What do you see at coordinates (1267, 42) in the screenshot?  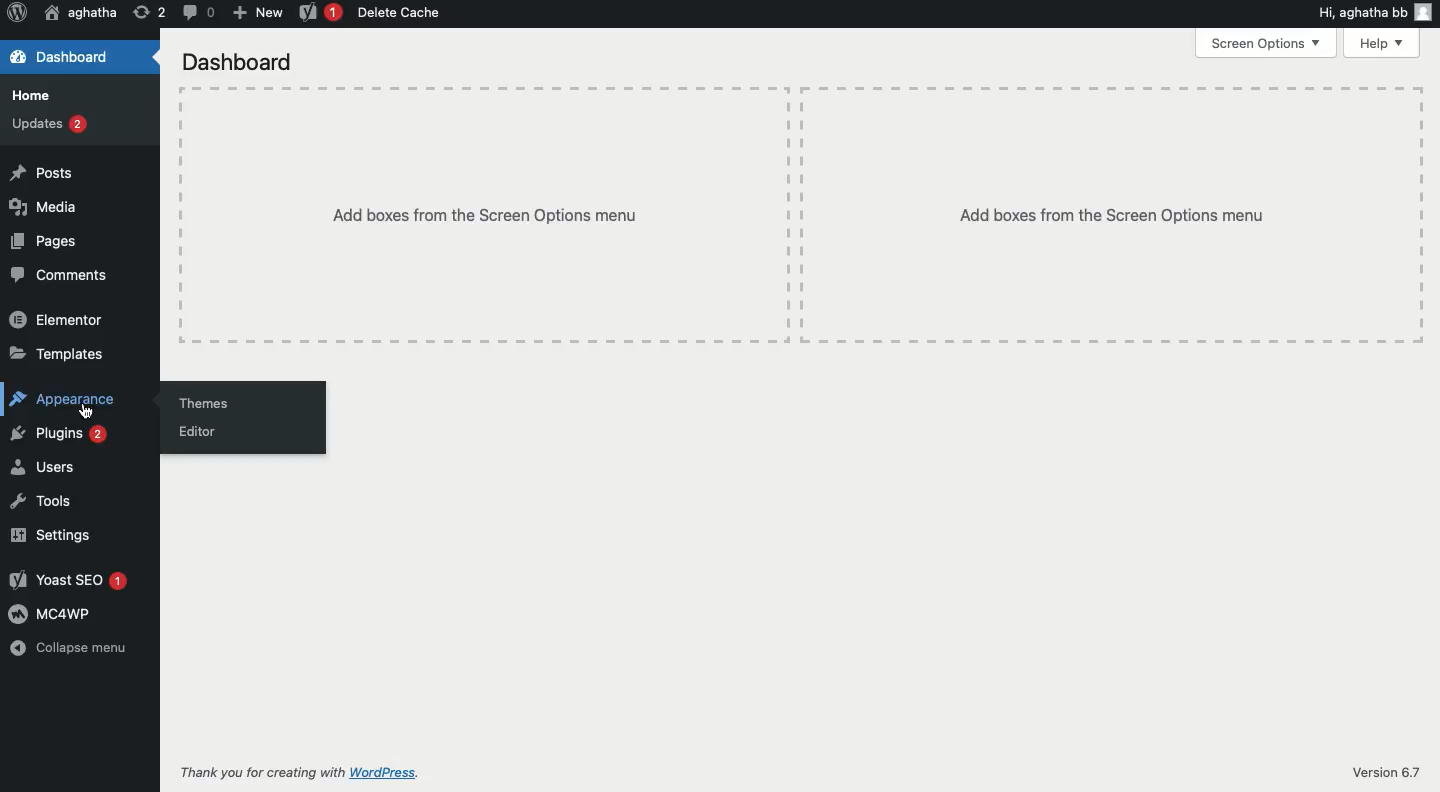 I see `Screen options` at bounding box center [1267, 42].